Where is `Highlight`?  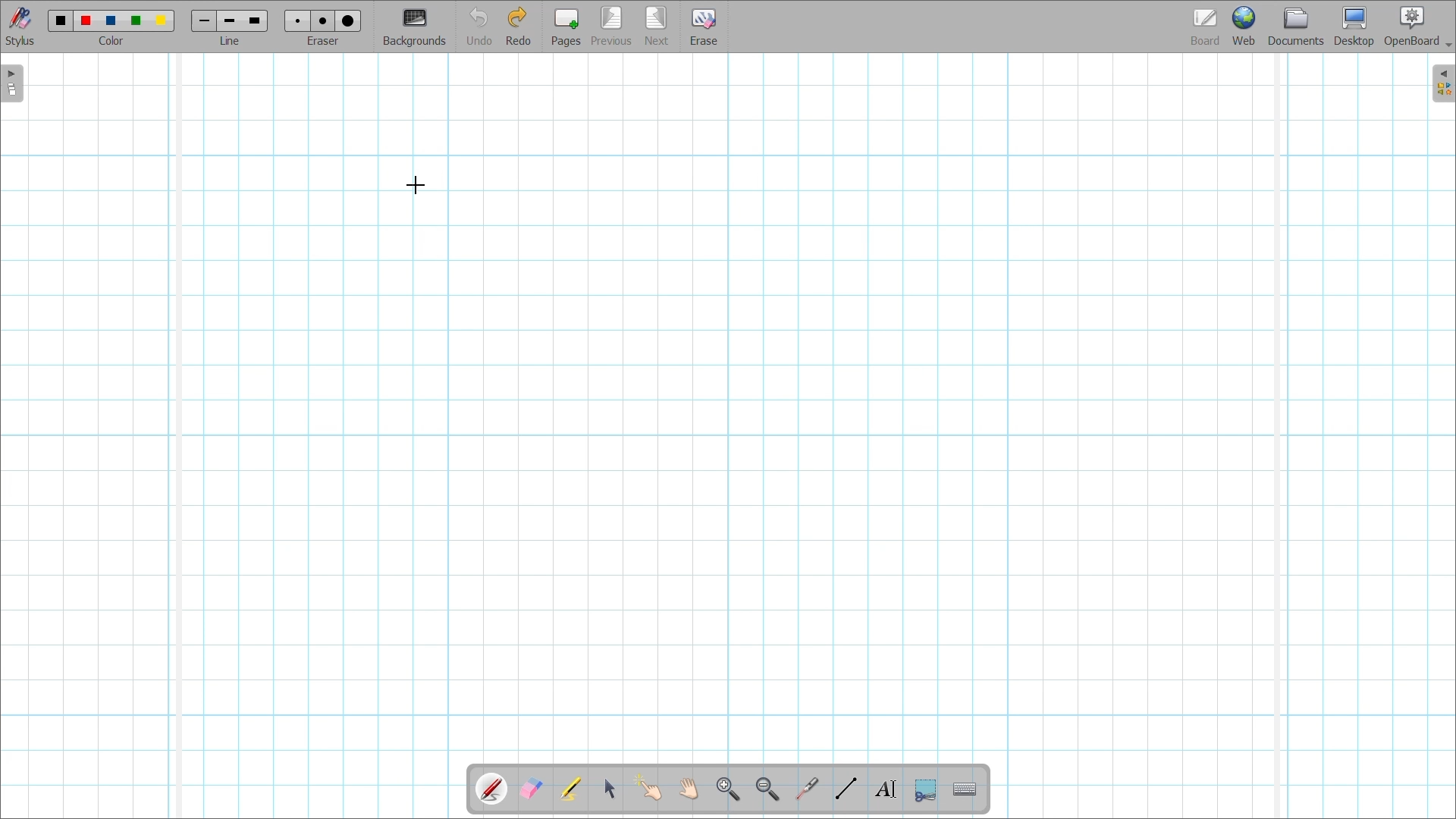 Highlight is located at coordinates (570, 789).